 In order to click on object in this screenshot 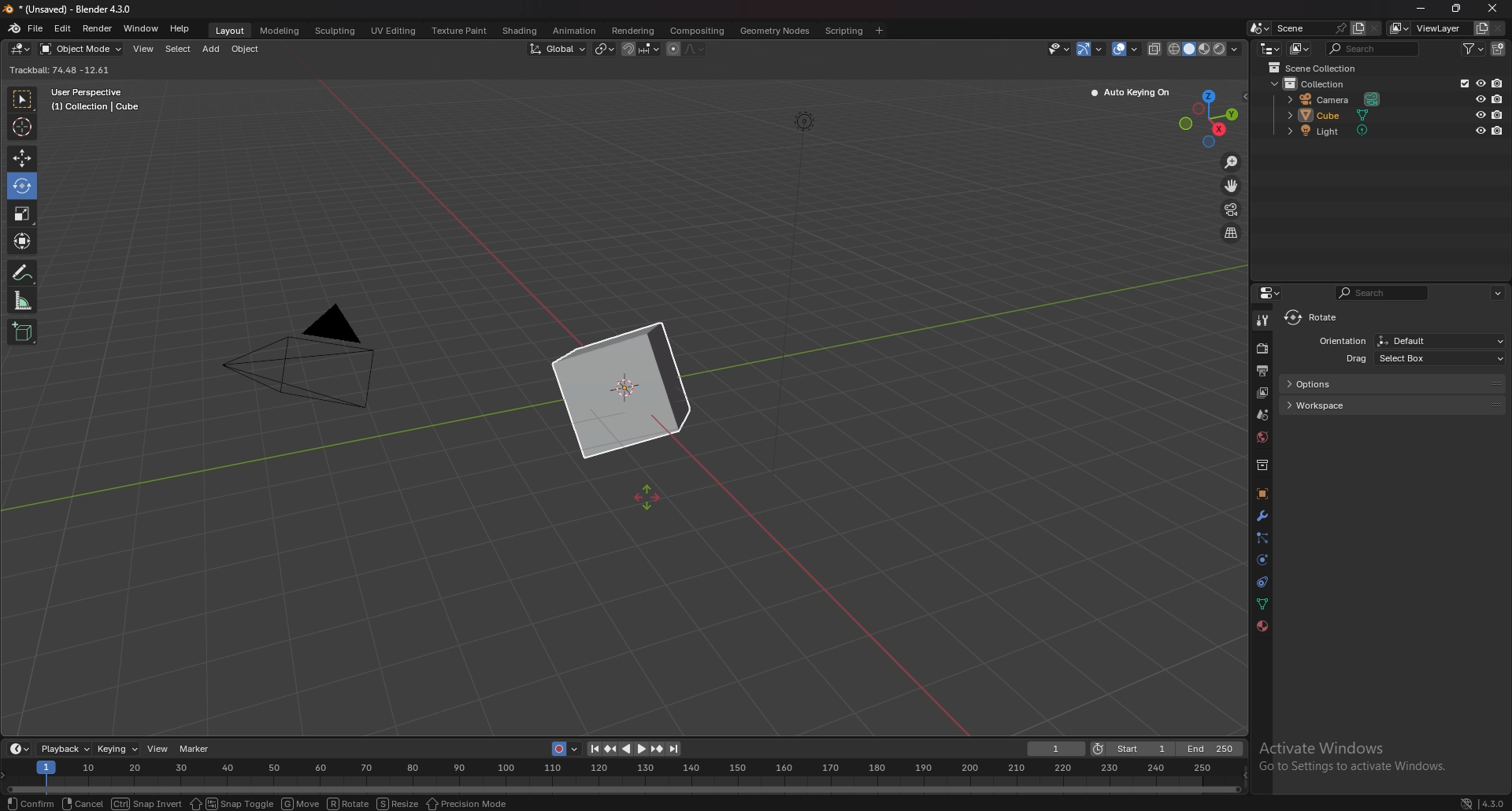, I will do `click(1262, 494)`.